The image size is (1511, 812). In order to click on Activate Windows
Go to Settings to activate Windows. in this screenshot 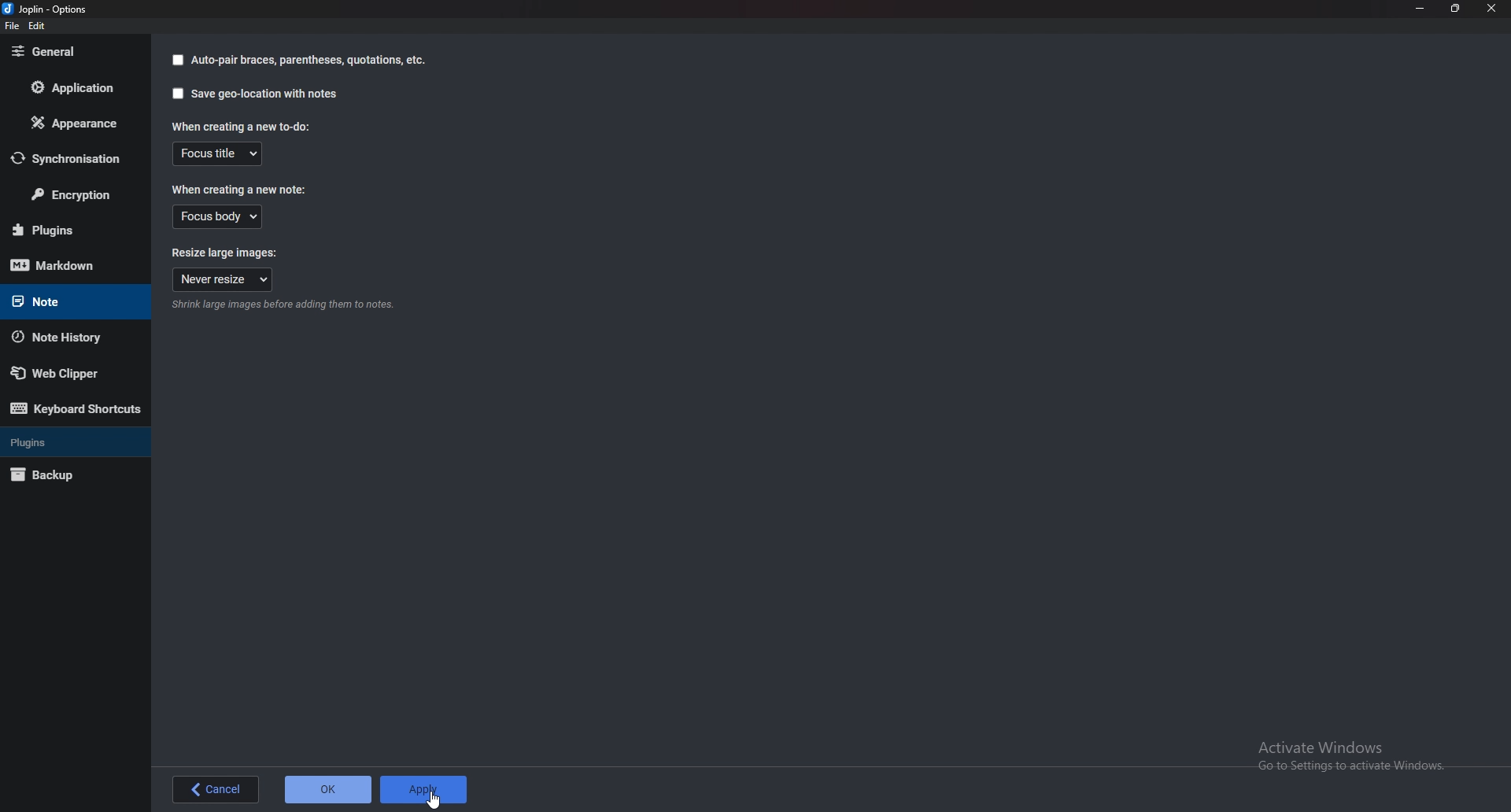, I will do `click(1353, 755)`.